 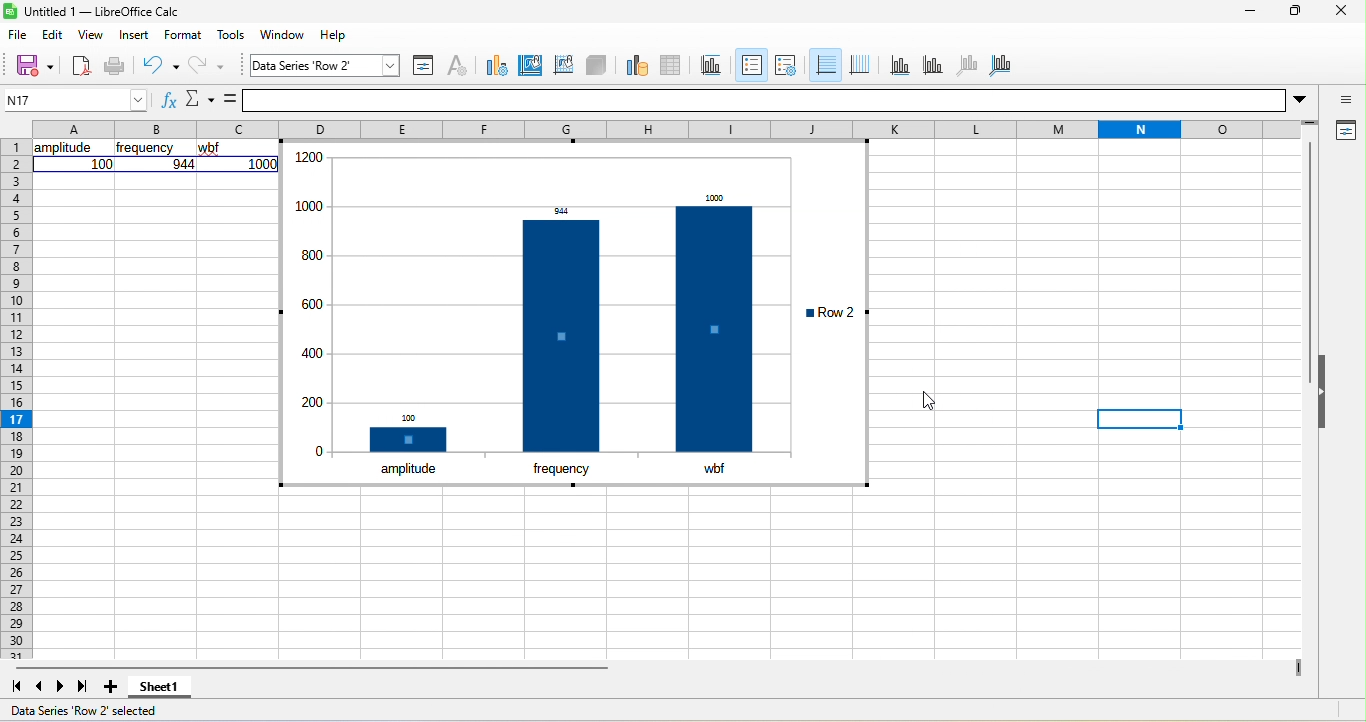 What do you see at coordinates (27, 65) in the screenshot?
I see `save` at bounding box center [27, 65].